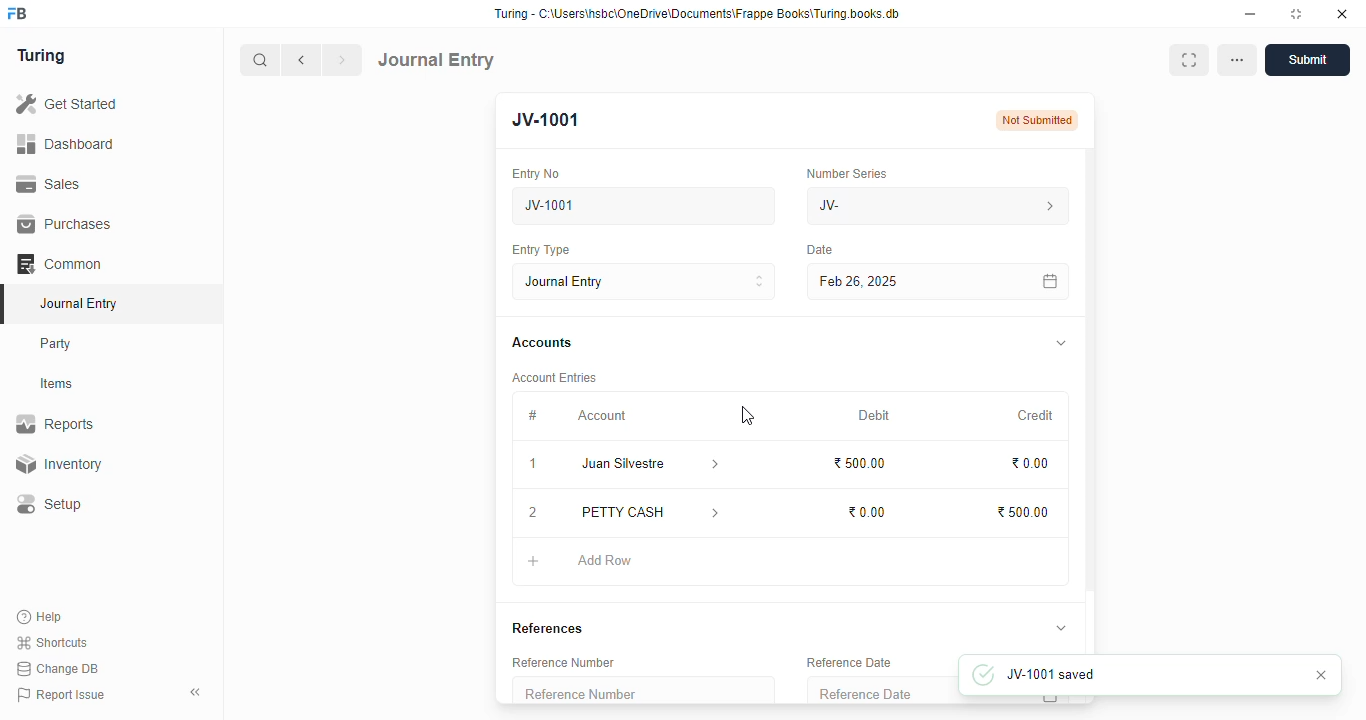 This screenshot has height=720, width=1366. Describe the element at coordinates (1322, 675) in the screenshot. I see `cancel` at that location.